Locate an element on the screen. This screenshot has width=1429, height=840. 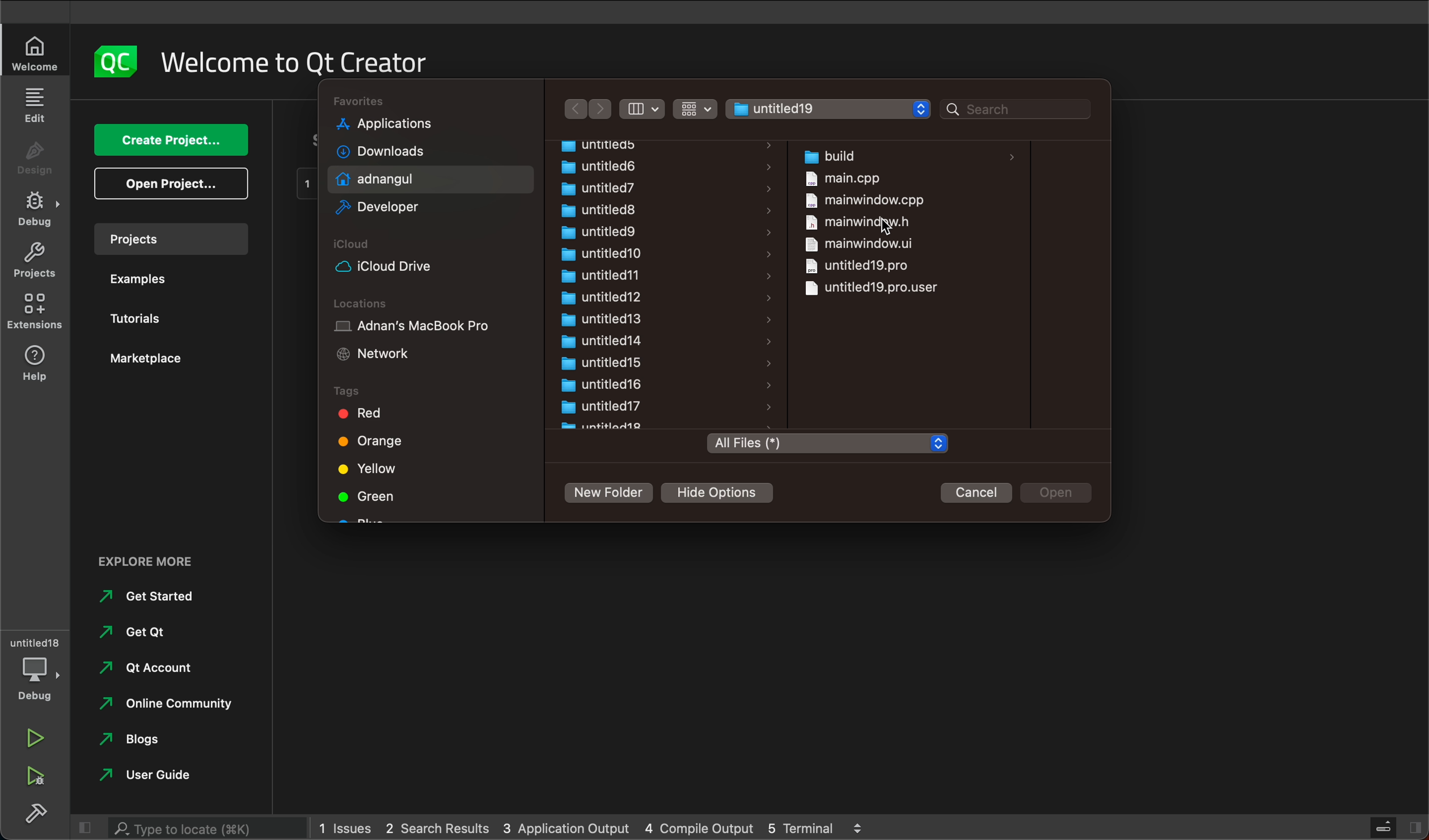
close slidebar is located at coordinates (85, 826).